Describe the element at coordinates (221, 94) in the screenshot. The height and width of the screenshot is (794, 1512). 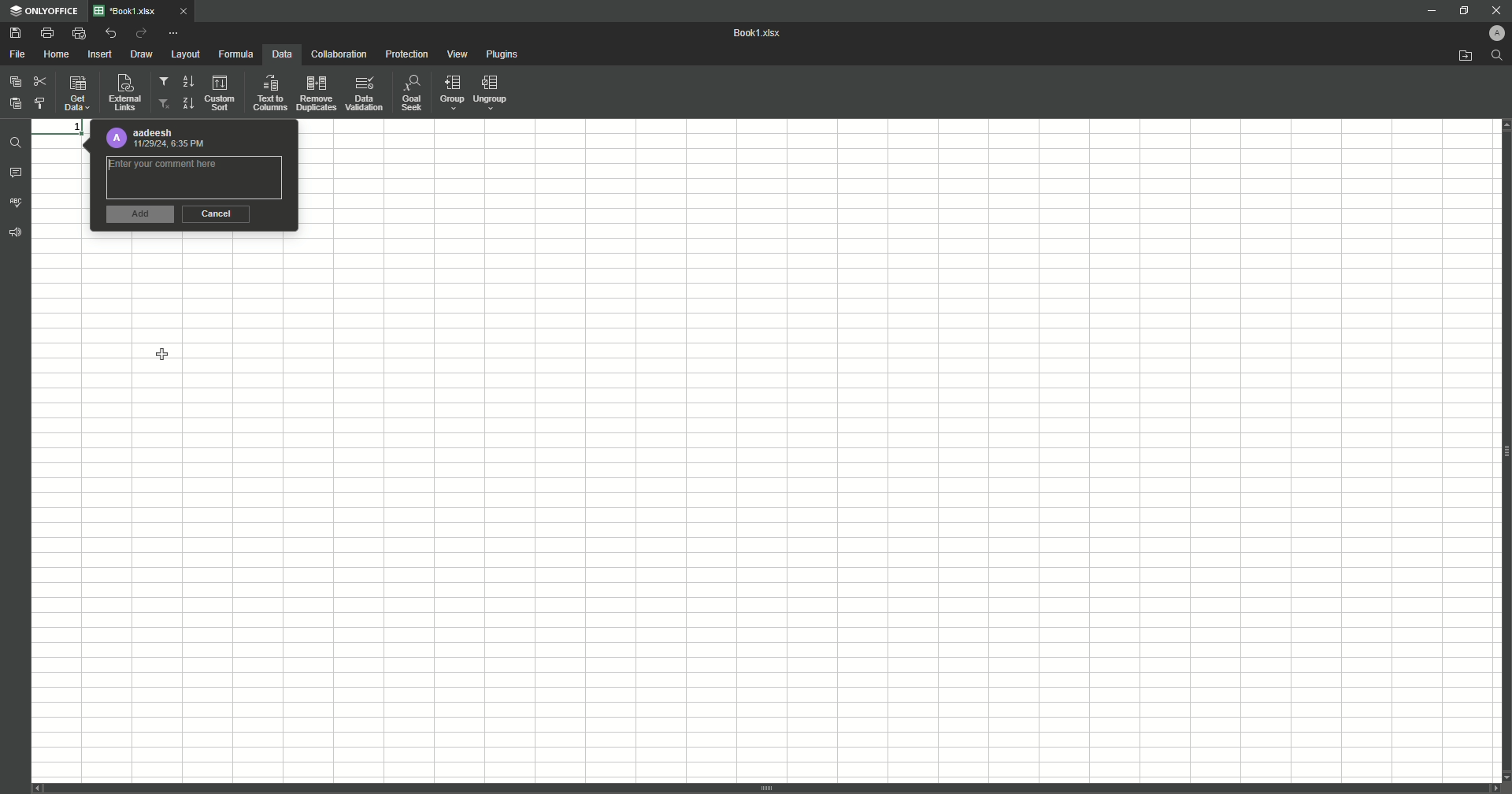
I see `Custom Sort` at that location.